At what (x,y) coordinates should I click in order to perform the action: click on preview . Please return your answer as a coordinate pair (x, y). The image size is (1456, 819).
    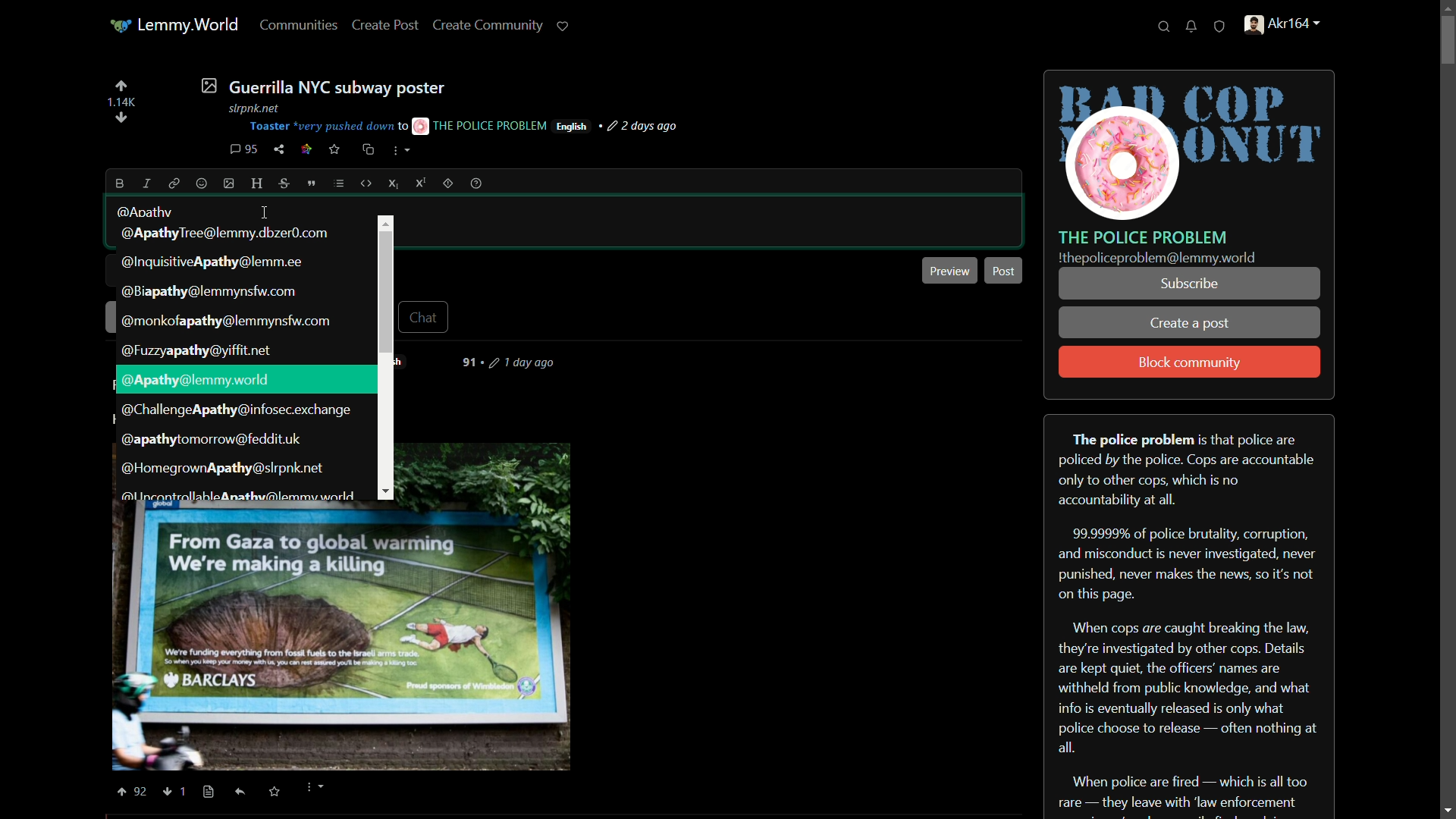
    Looking at the image, I should click on (950, 270).